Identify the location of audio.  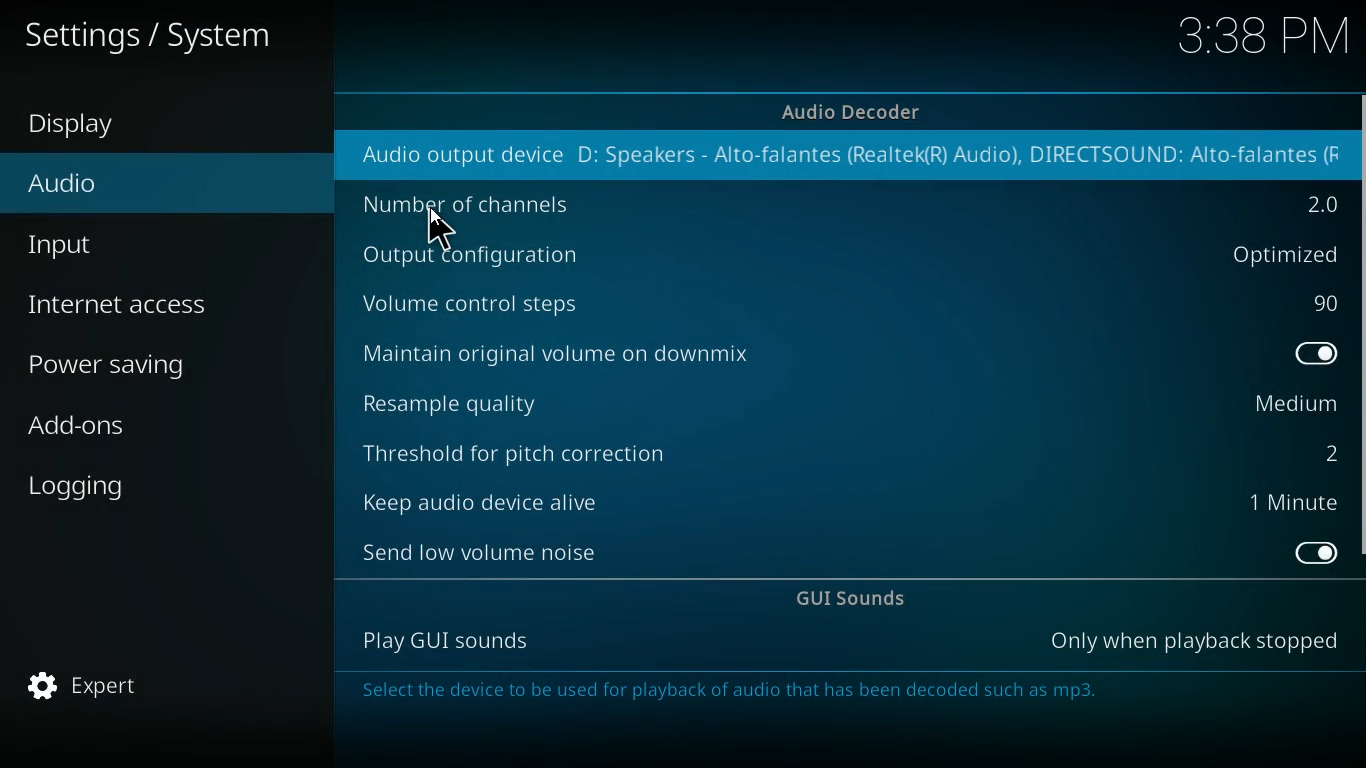
(129, 190).